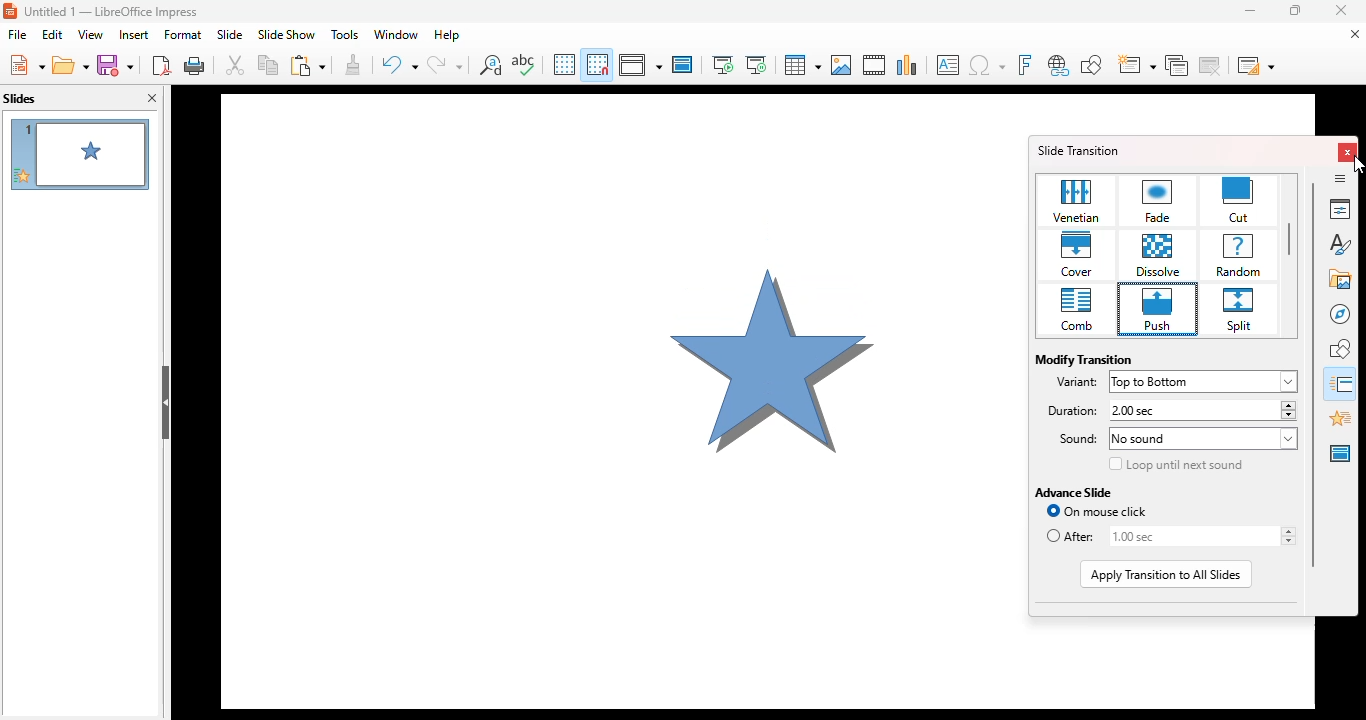  What do you see at coordinates (268, 64) in the screenshot?
I see `copy` at bounding box center [268, 64].